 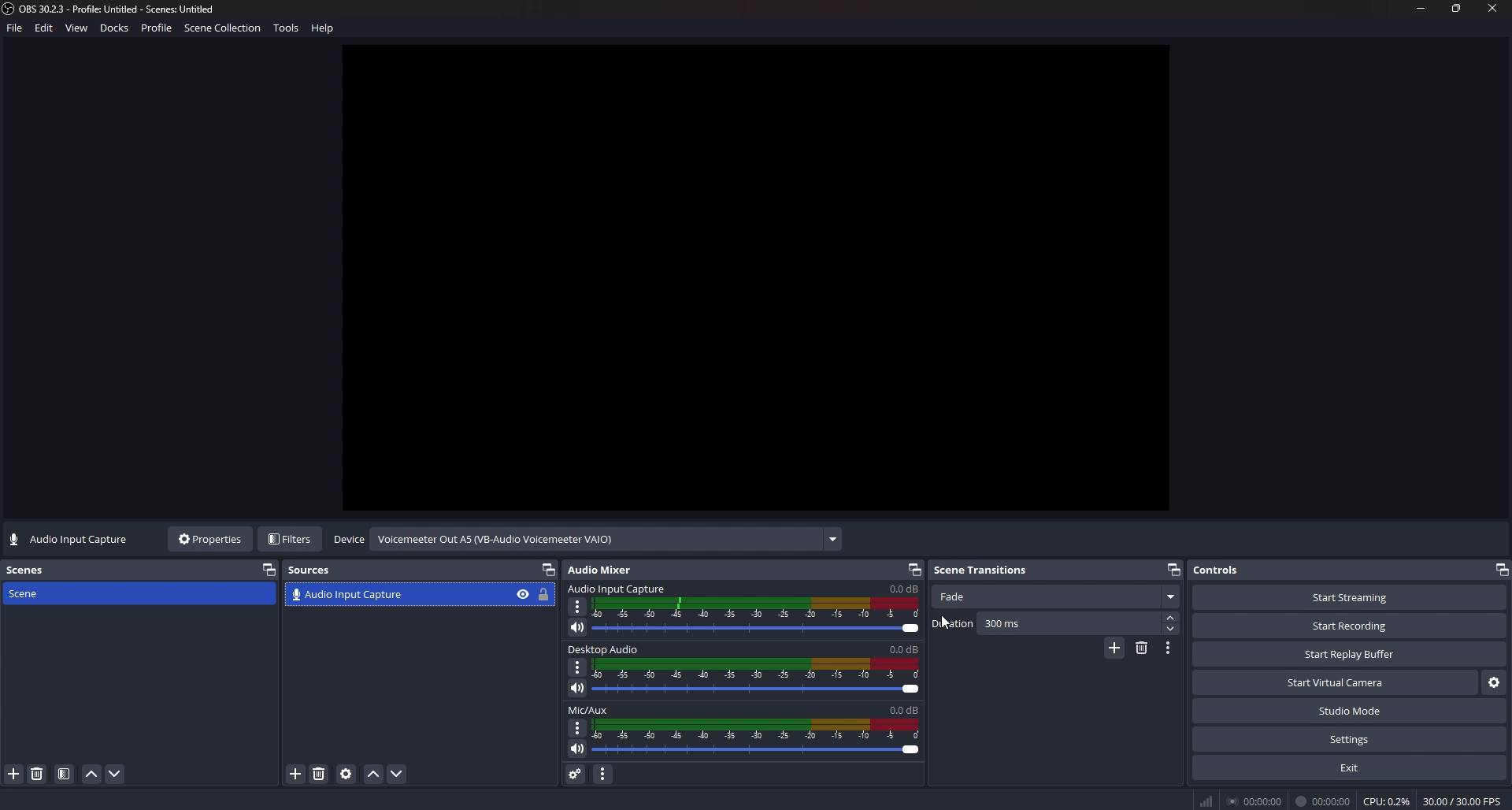 I want to click on cursor, so click(x=947, y=625).